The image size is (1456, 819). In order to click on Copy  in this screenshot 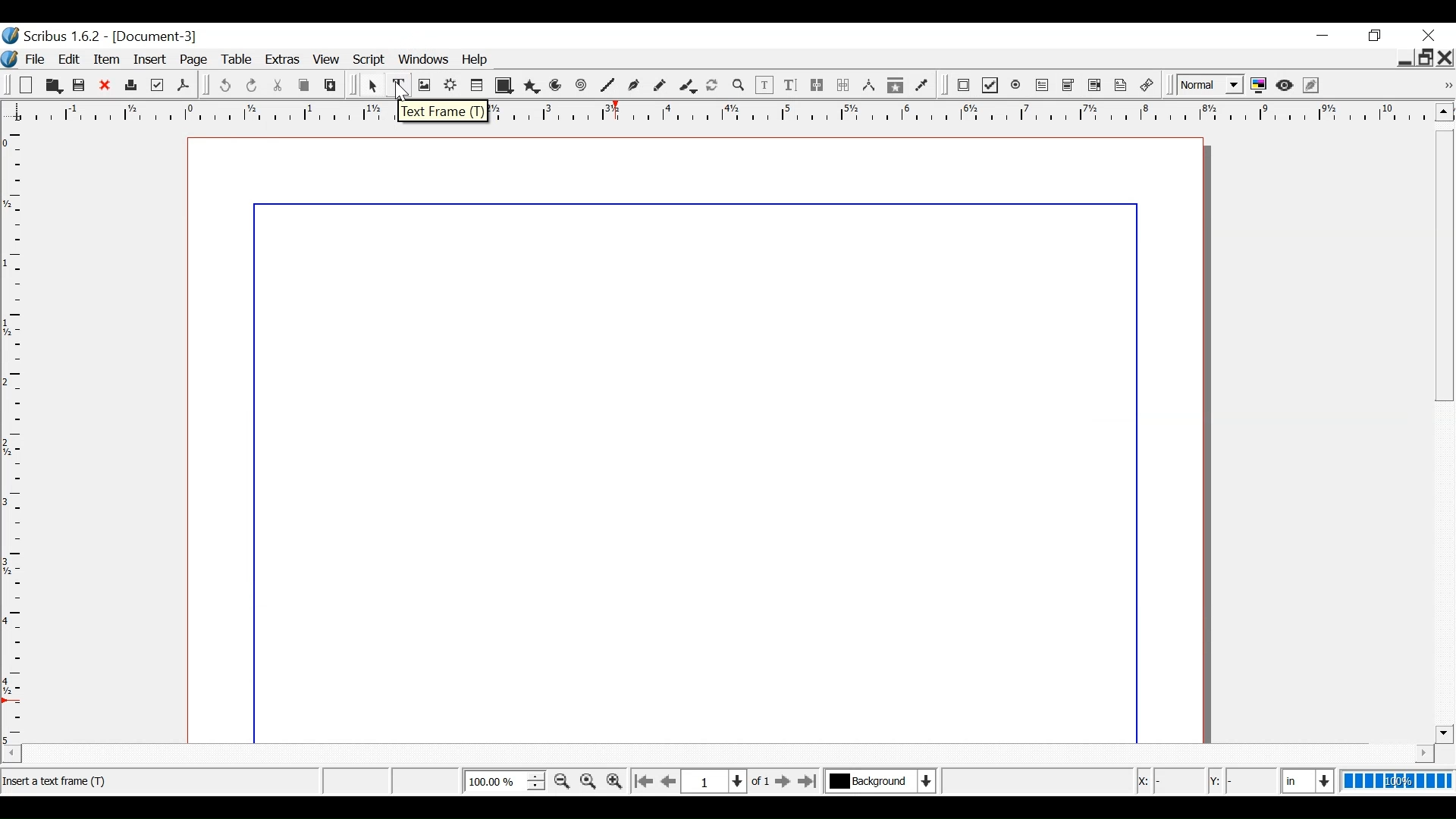, I will do `click(306, 83)`.